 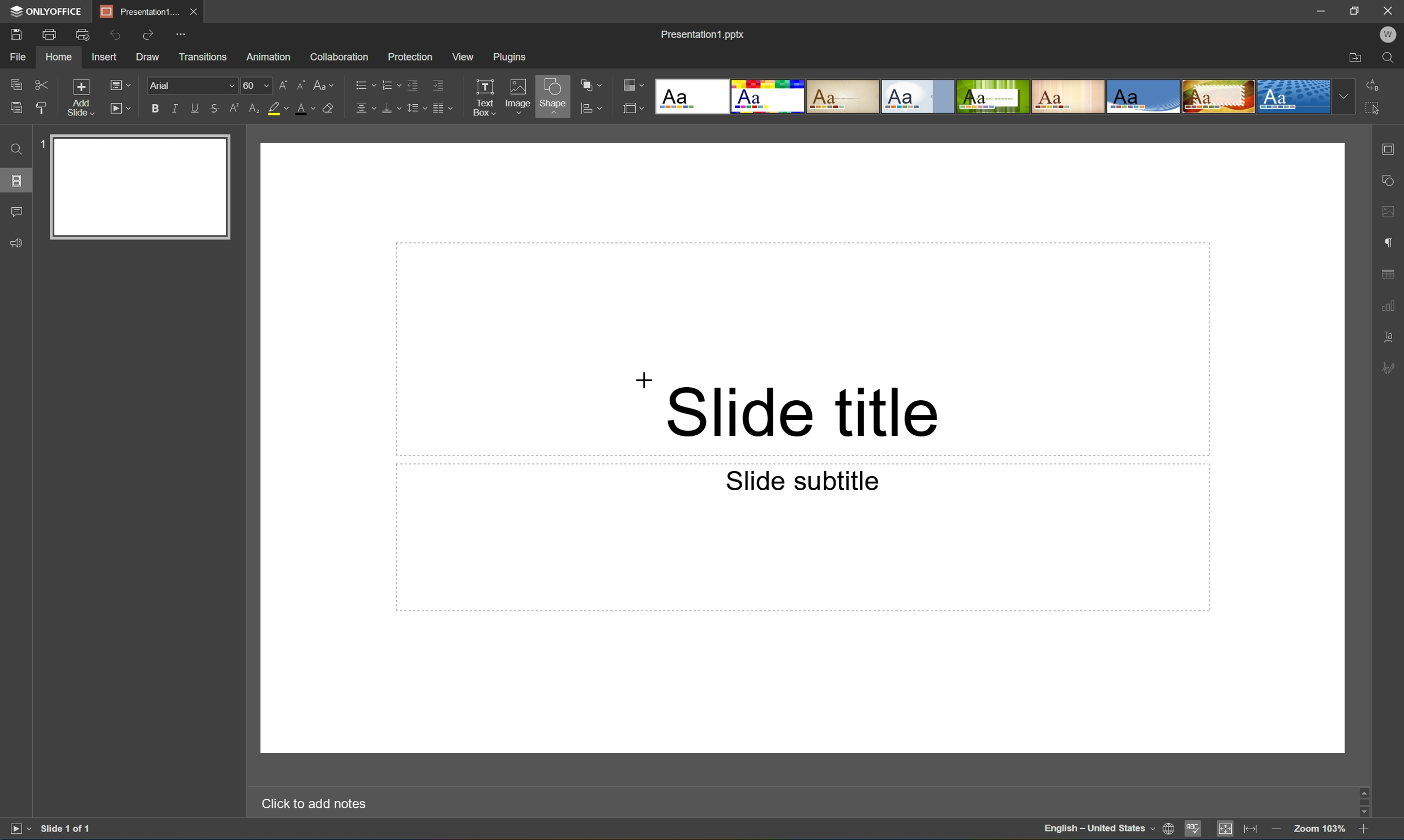 I want to click on English - United States, so click(x=1099, y=831).